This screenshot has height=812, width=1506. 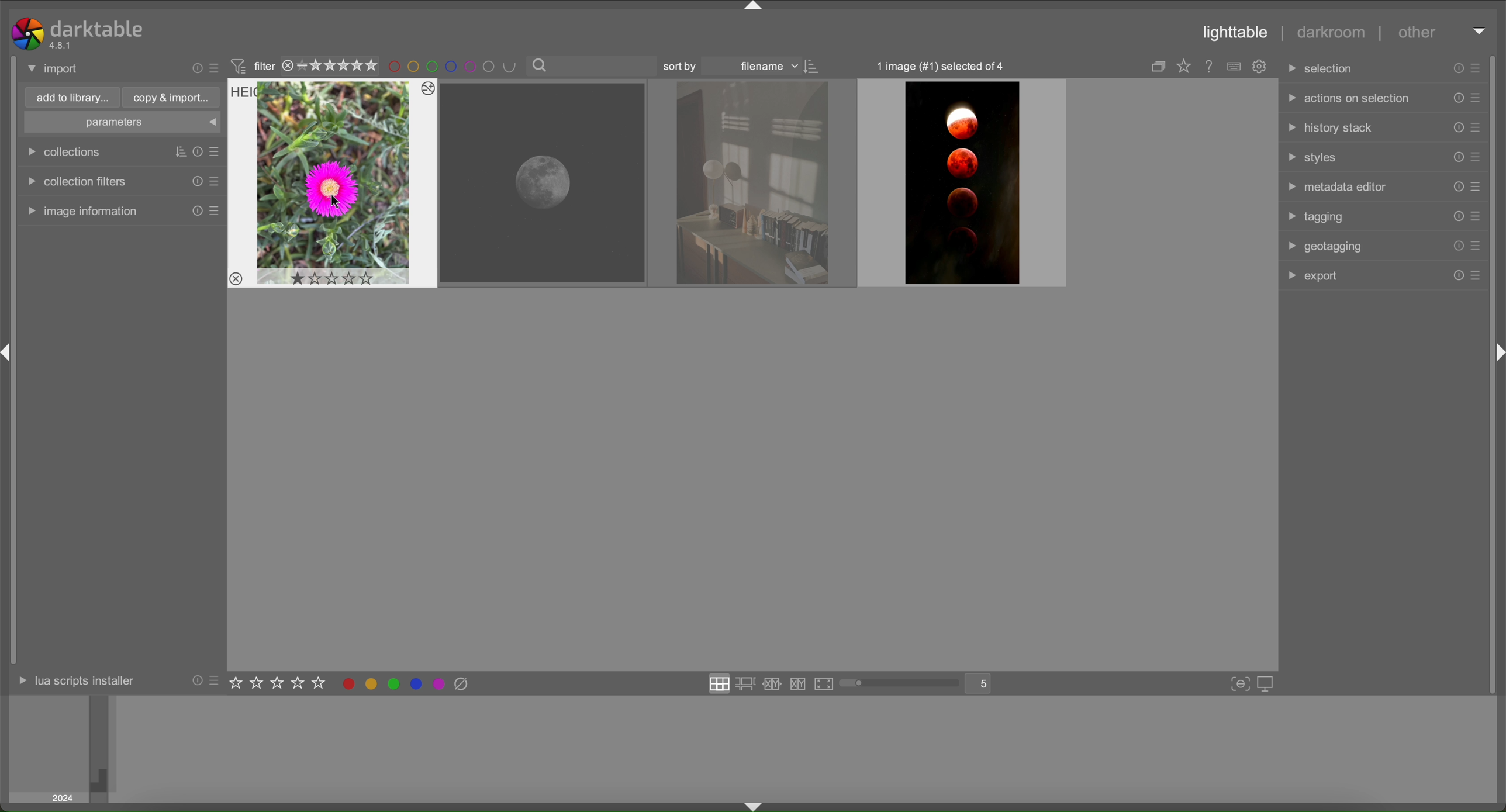 What do you see at coordinates (55, 68) in the screenshot?
I see `import` at bounding box center [55, 68].